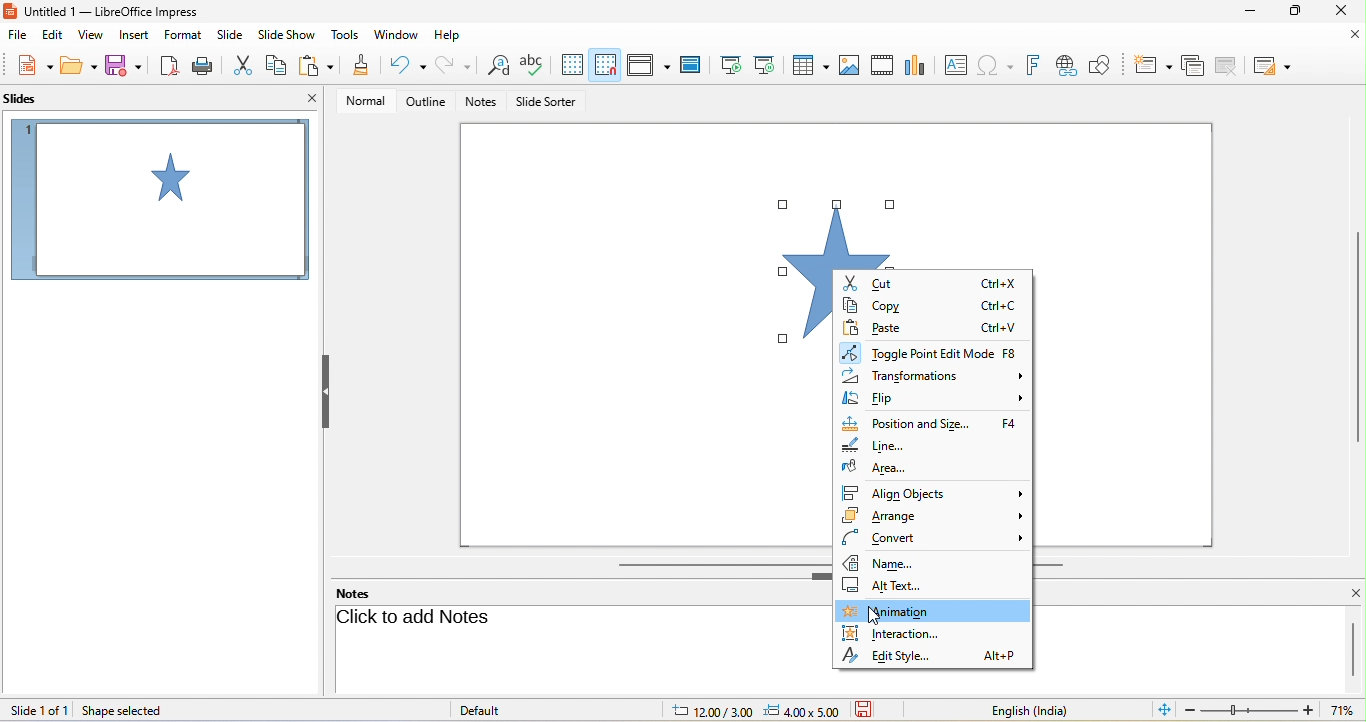 The height and width of the screenshot is (722, 1366). What do you see at coordinates (930, 610) in the screenshot?
I see `animation` at bounding box center [930, 610].